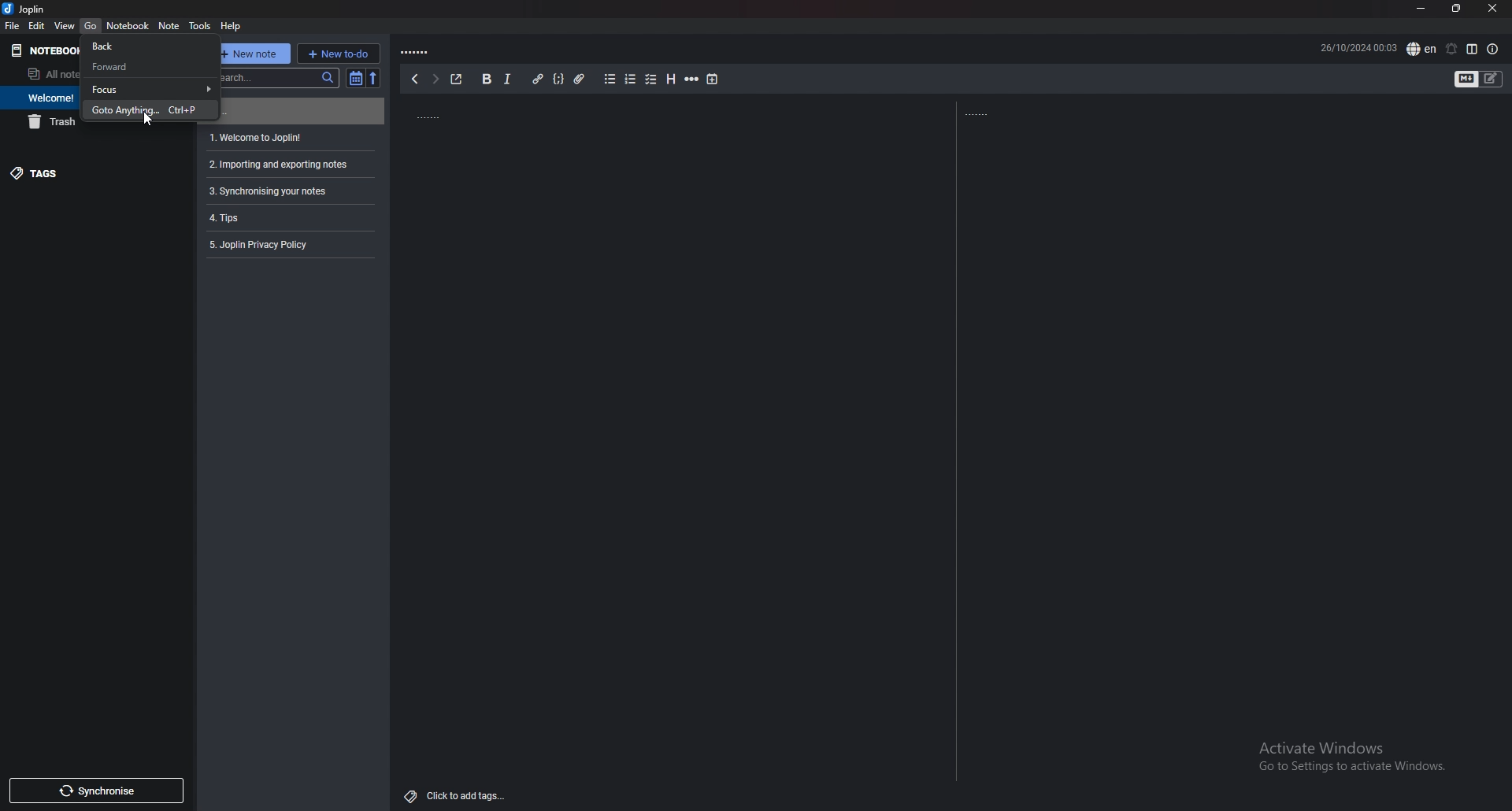 Image resolution: width=1512 pixels, height=811 pixels. I want to click on note title, so click(473, 114).